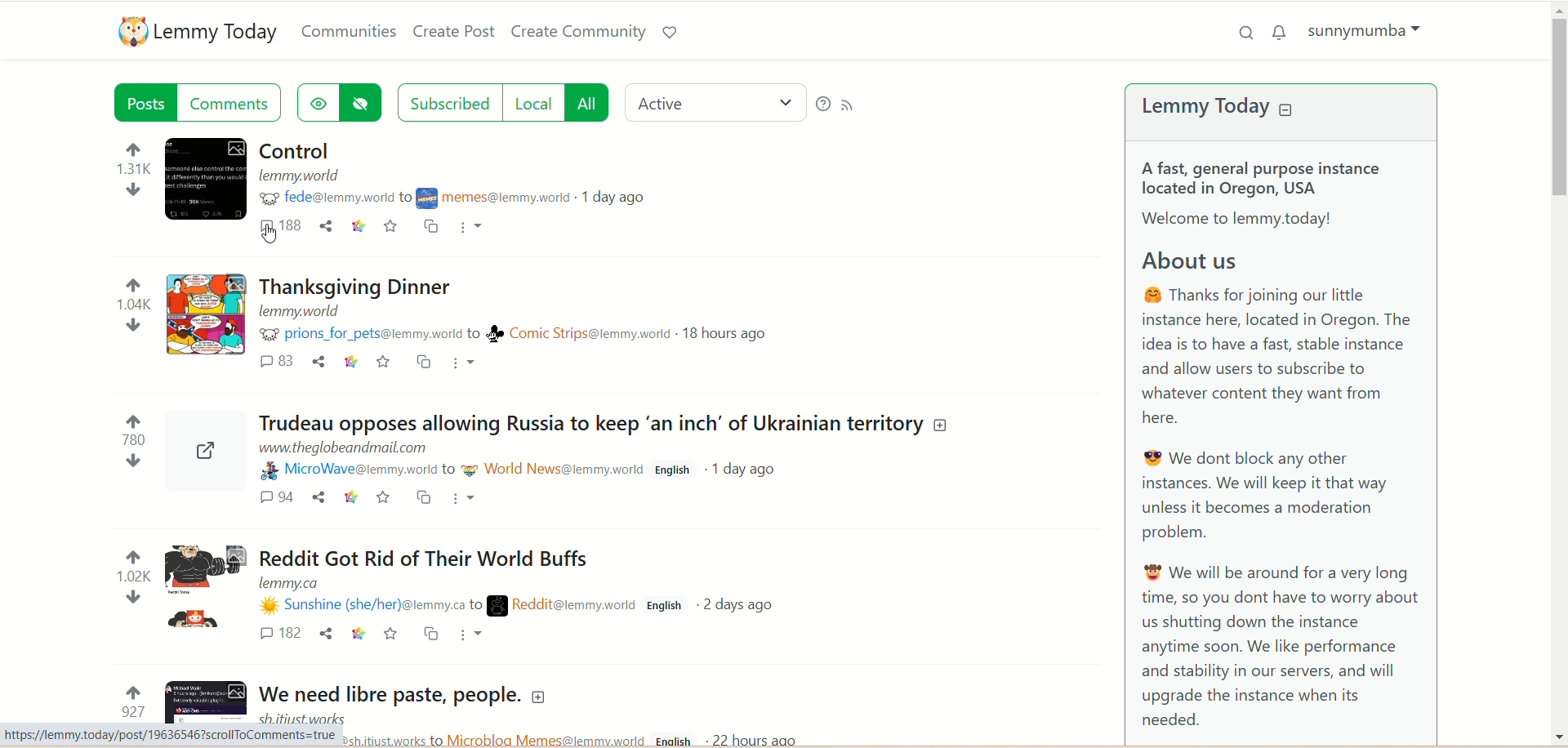 The image size is (1568, 748). What do you see at coordinates (617, 198) in the screenshot?
I see `1 day ago` at bounding box center [617, 198].